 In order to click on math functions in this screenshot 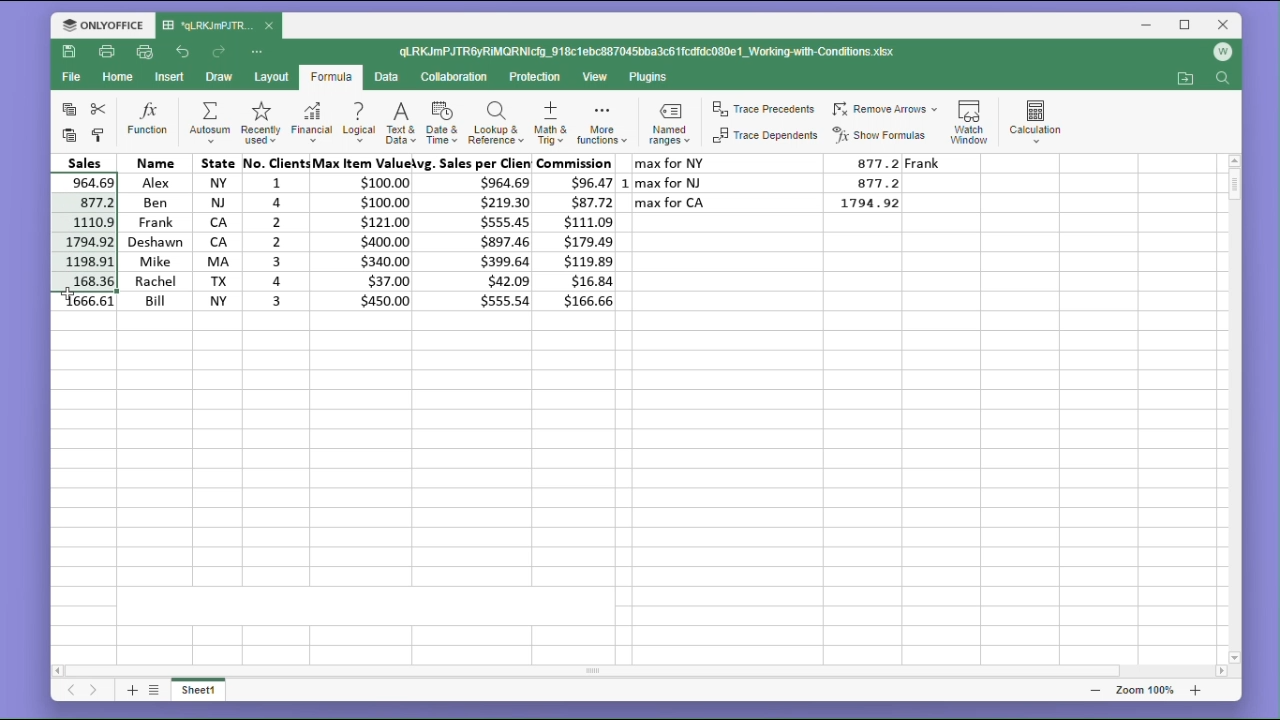, I will do `click(601, 125)`.